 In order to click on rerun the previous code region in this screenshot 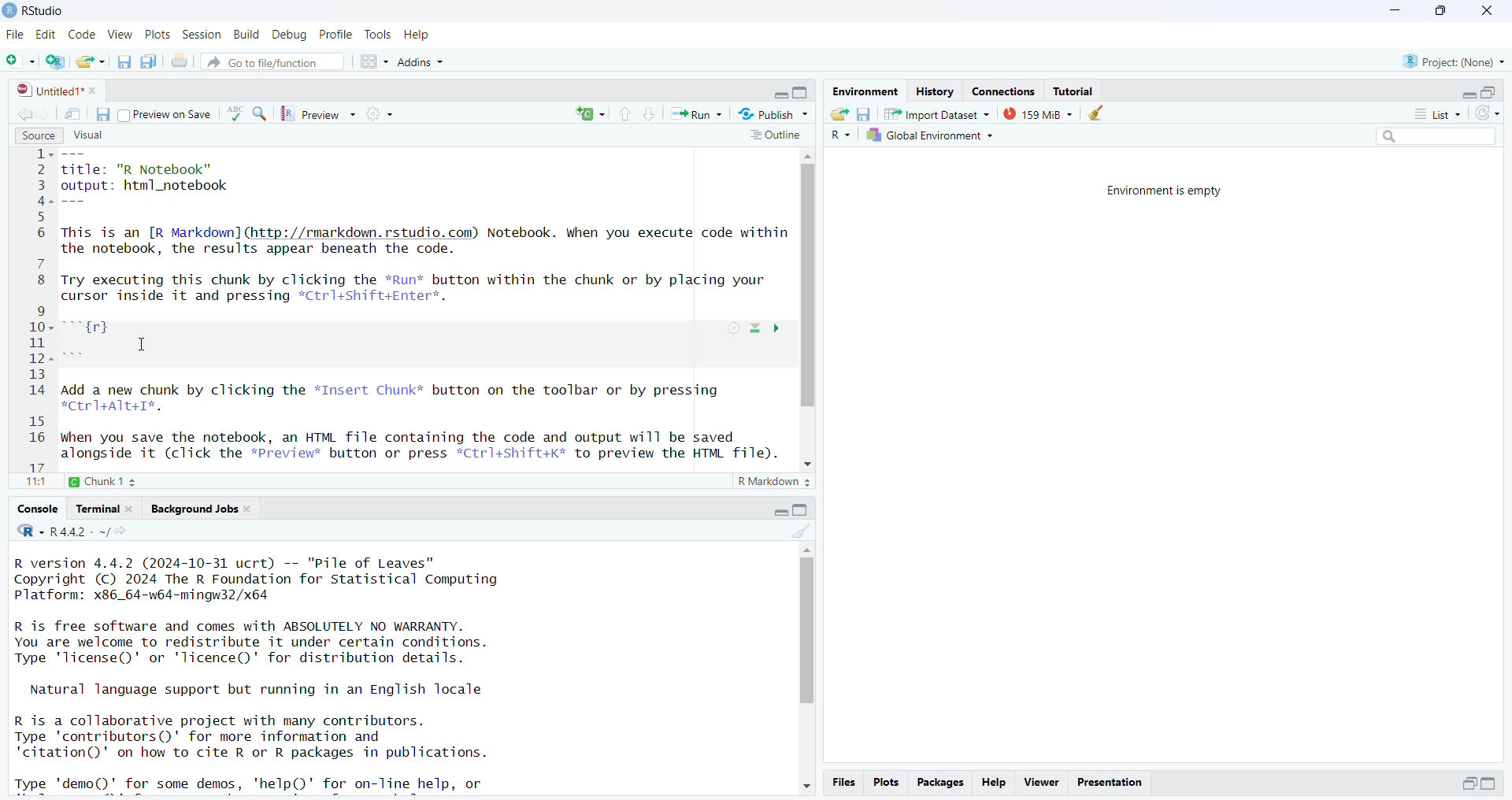, I will do `click(589, 114)`.